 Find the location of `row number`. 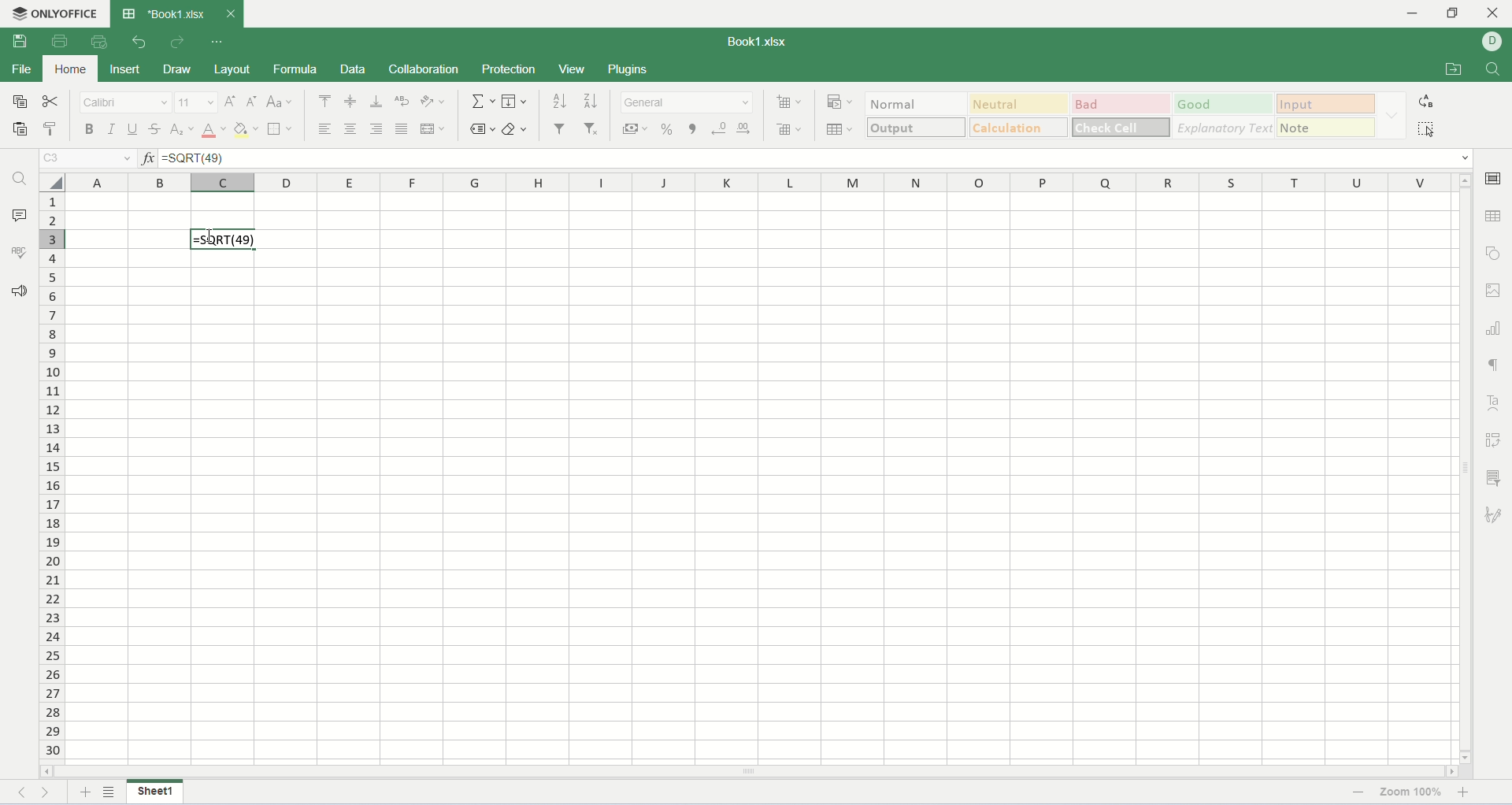

row number is located at coordinates (51, 475).